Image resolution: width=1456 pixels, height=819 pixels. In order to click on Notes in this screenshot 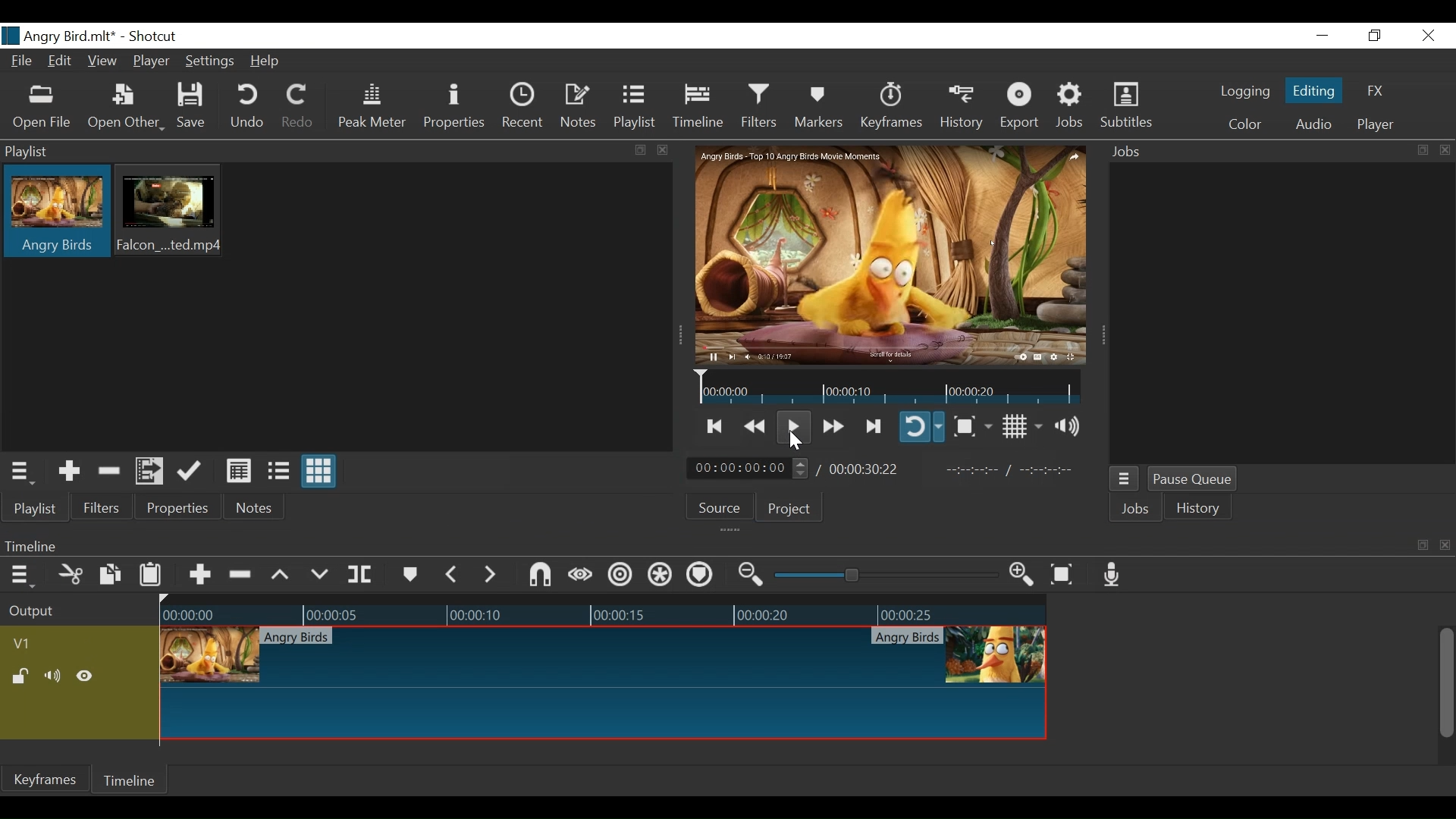, I will do `click(256, 510)`.